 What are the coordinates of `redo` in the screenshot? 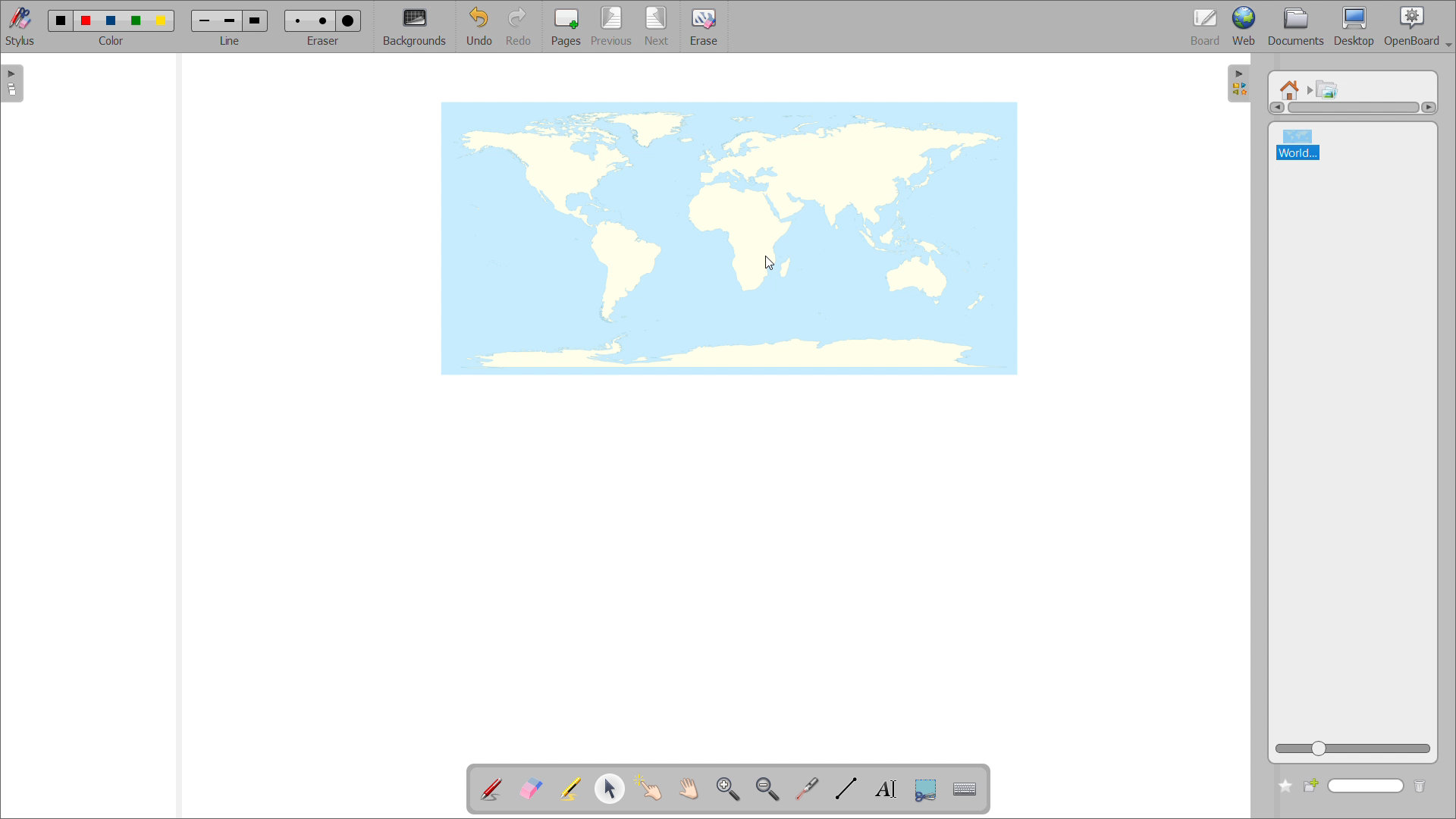 It's located at (518, 27).